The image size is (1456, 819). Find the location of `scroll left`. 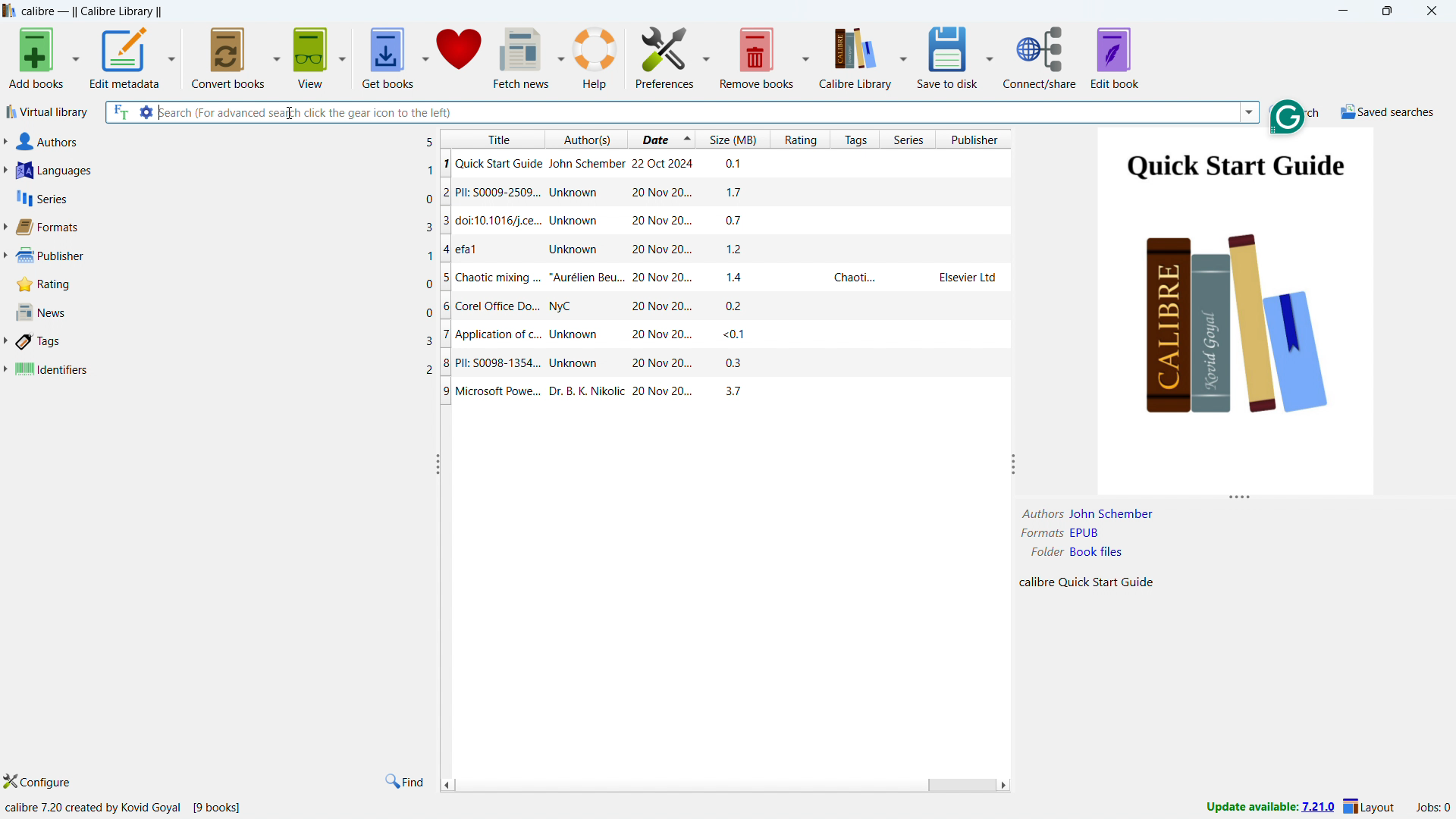

scroll left is located at coordinates (447, 786).